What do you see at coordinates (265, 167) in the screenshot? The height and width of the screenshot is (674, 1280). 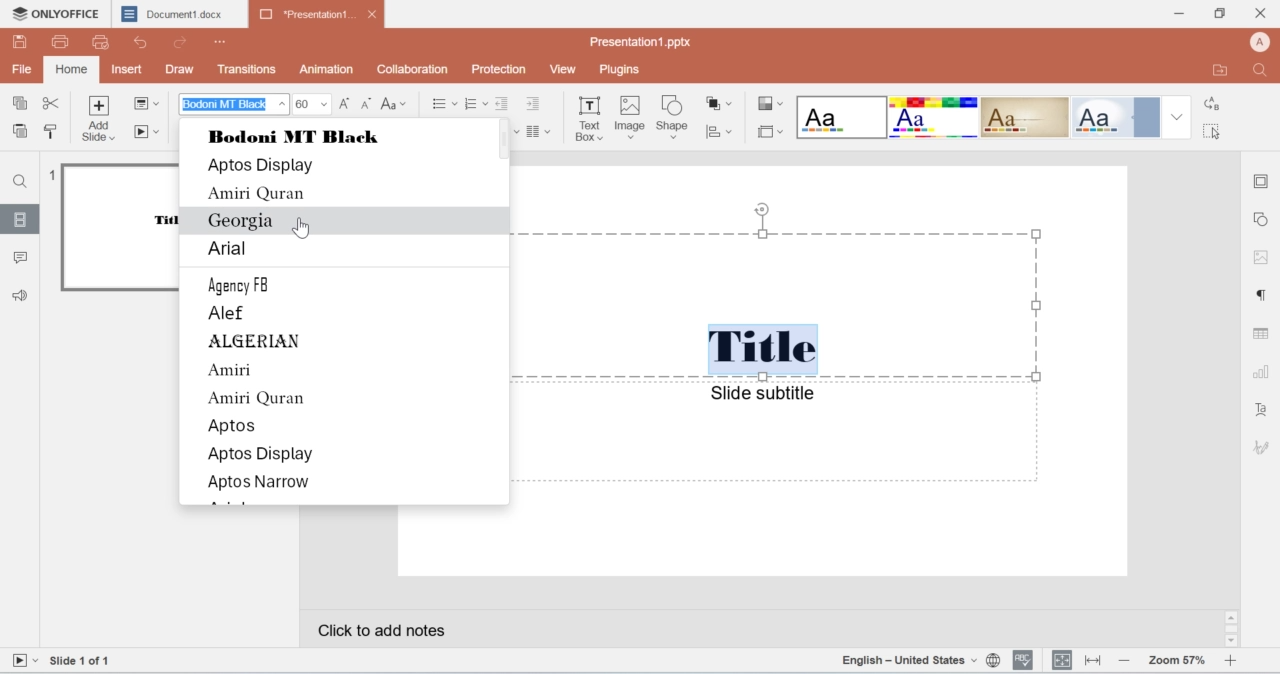 I see `Aptos Display` at bounding box center [265, 167].